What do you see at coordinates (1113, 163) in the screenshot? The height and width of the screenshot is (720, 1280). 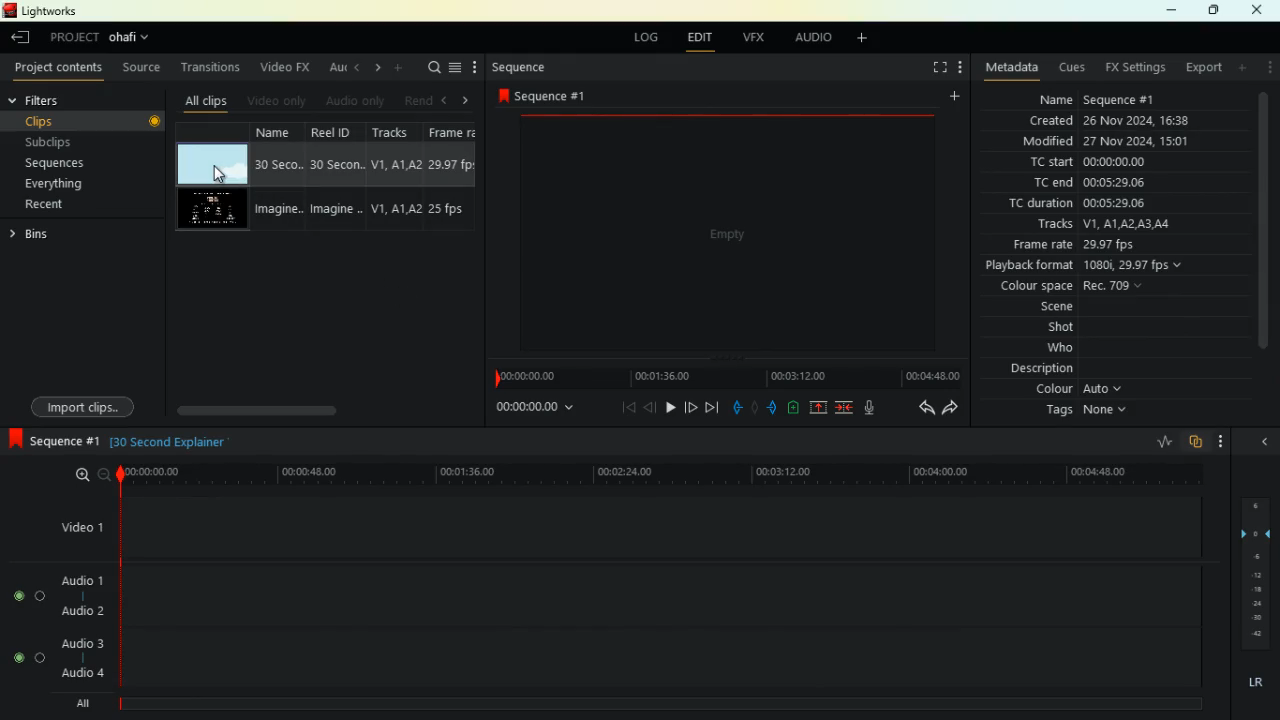 I see `tc start 00:00:00:00` at bounding box center [1113, 163].